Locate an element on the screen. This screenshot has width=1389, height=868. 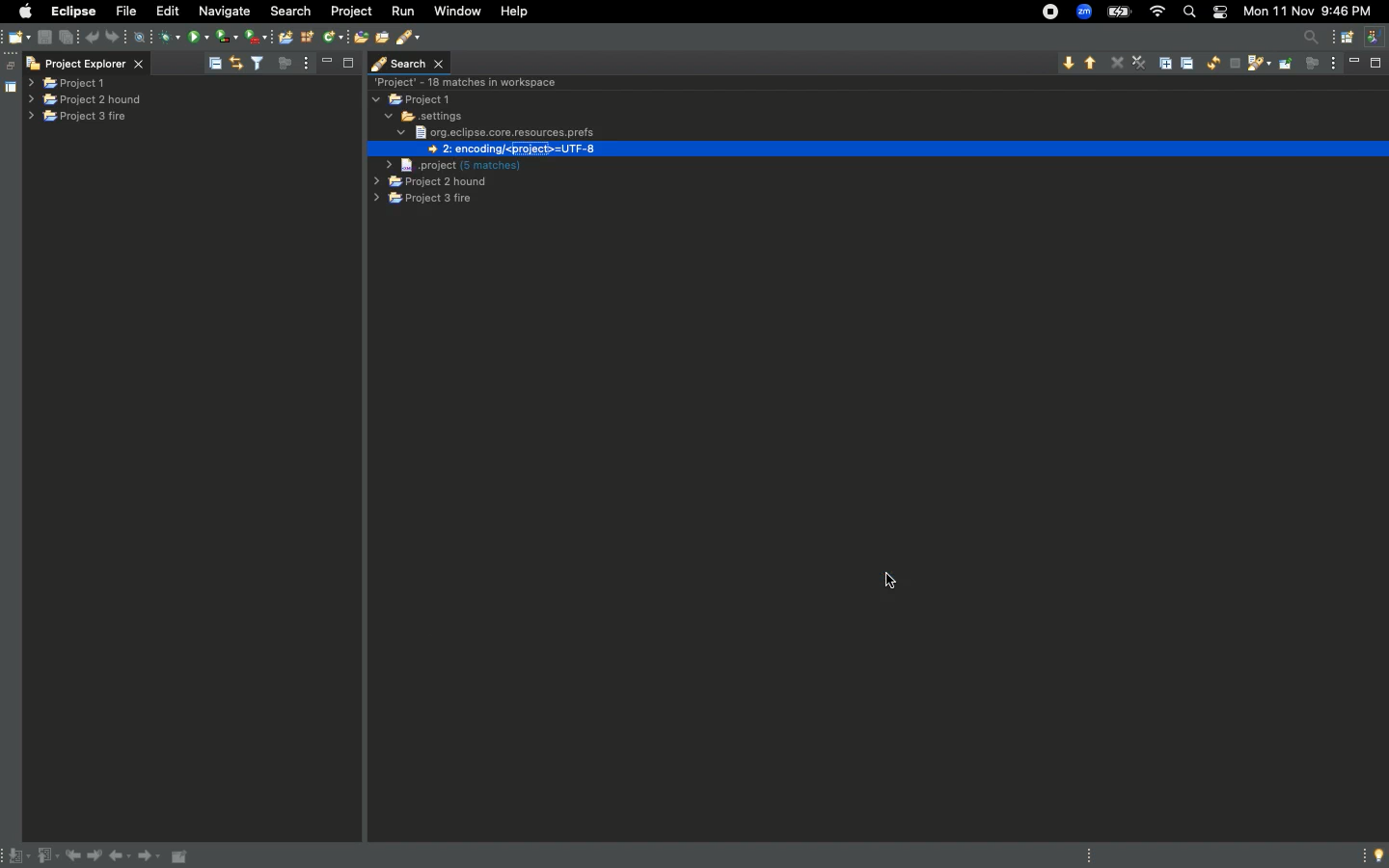
new java type is located at coordinates (308, 37).